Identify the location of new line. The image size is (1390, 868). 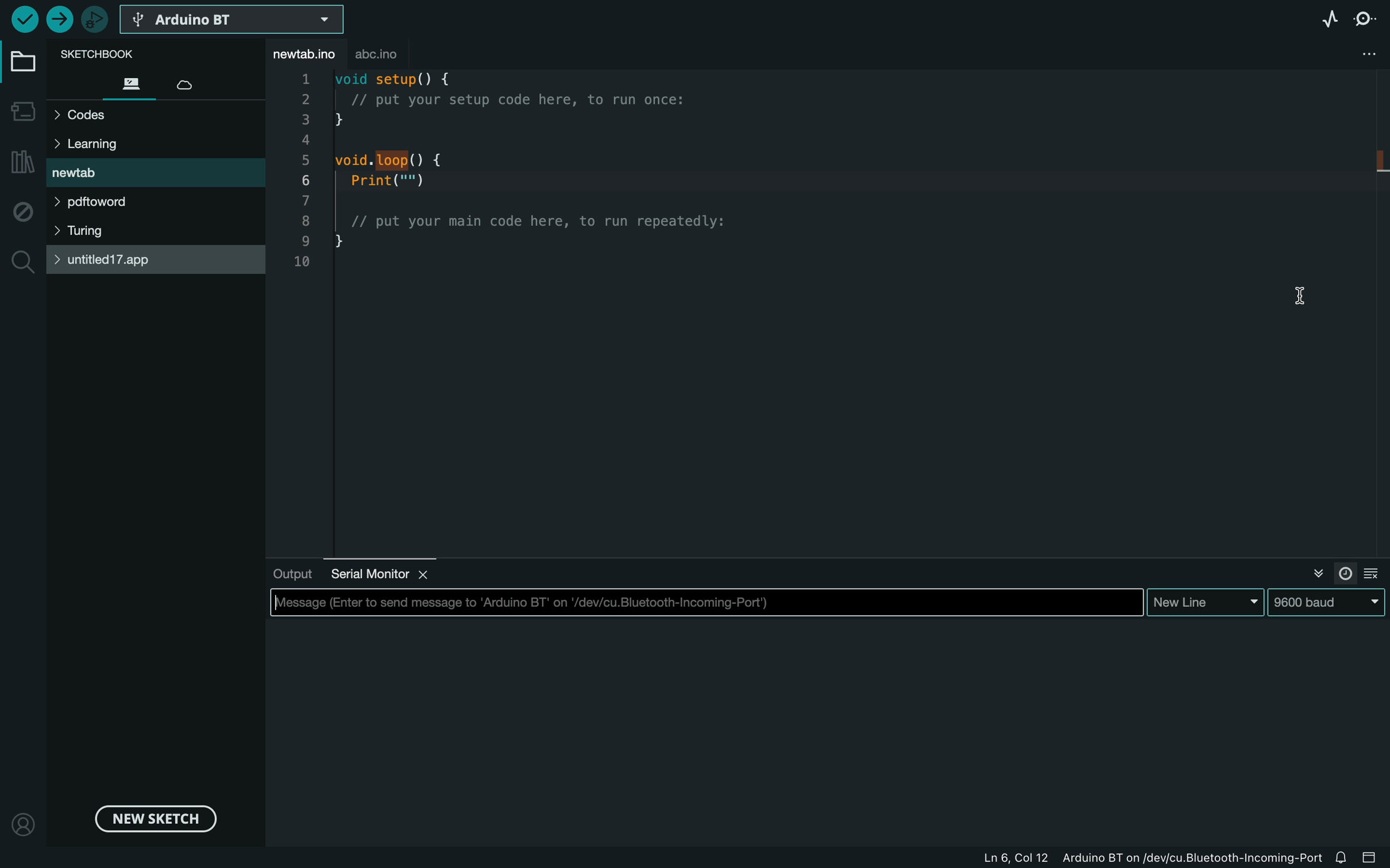
(1206, 602).